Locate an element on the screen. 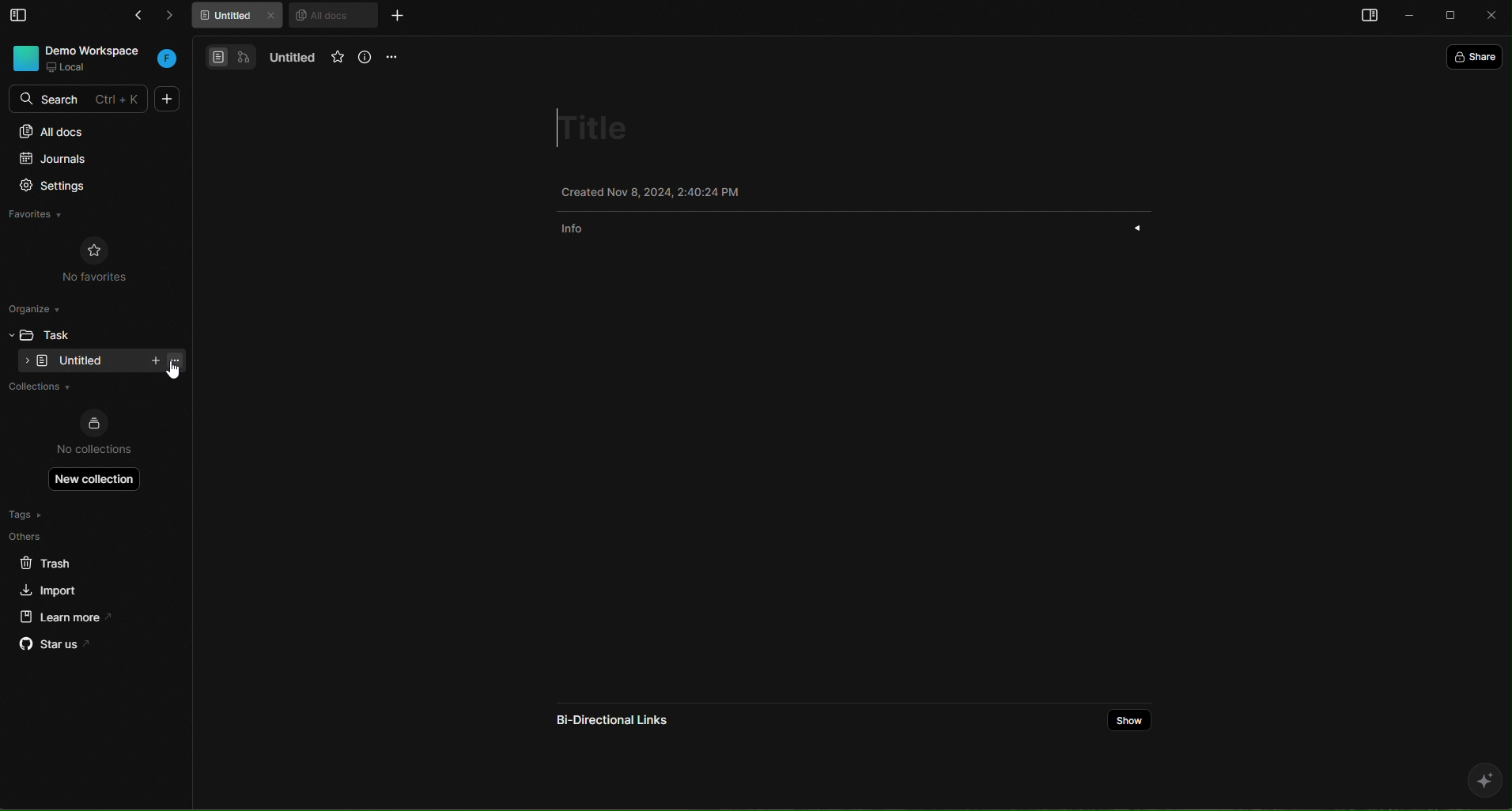 The height and width of the screenshot is (811, 1512). Created Nov 8, 2024, 2:38:38 PM is located at coordinates (654, 190).